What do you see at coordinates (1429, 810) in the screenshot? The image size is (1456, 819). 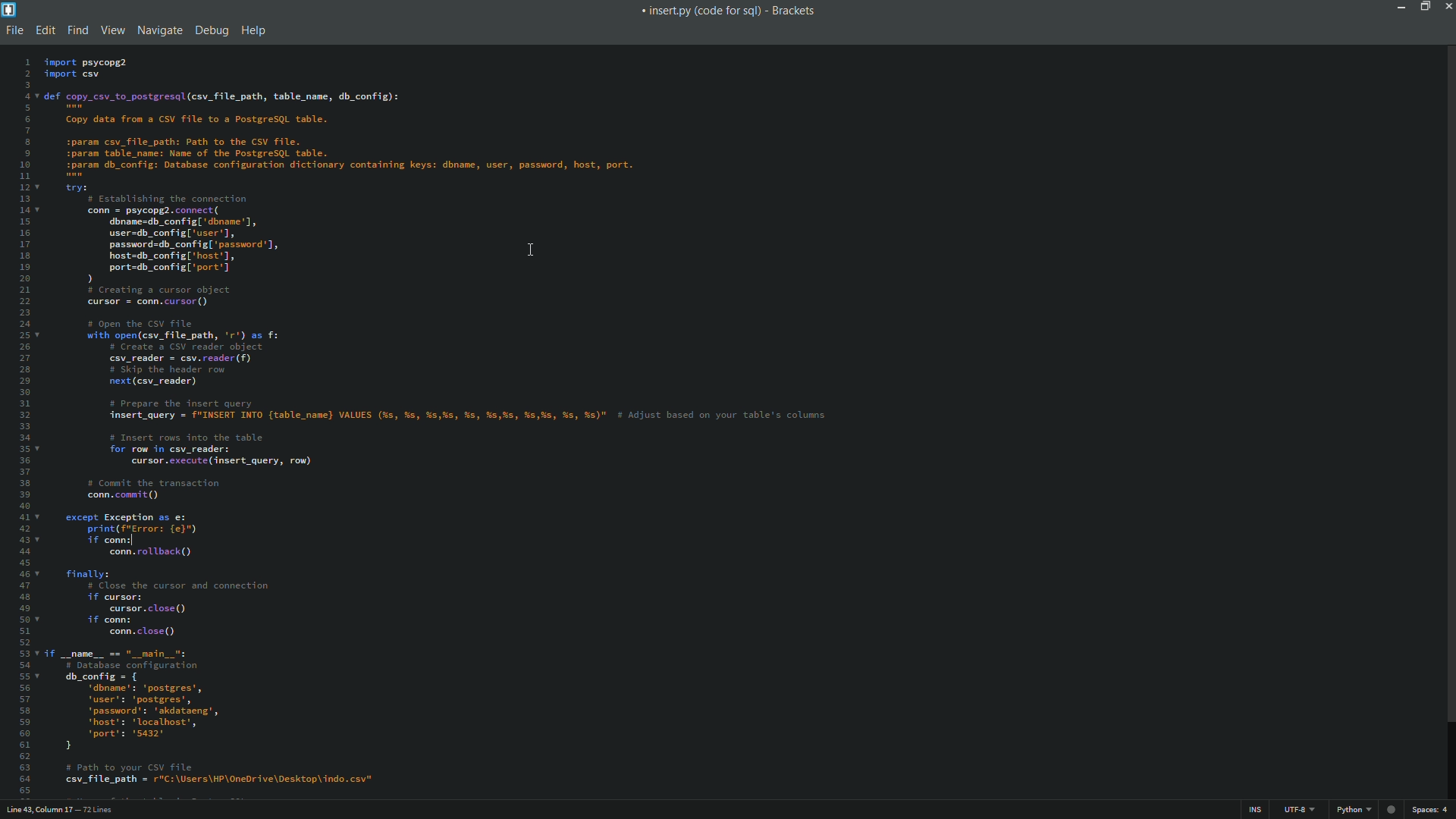 I see `space` at bounding box center [1429, 810].